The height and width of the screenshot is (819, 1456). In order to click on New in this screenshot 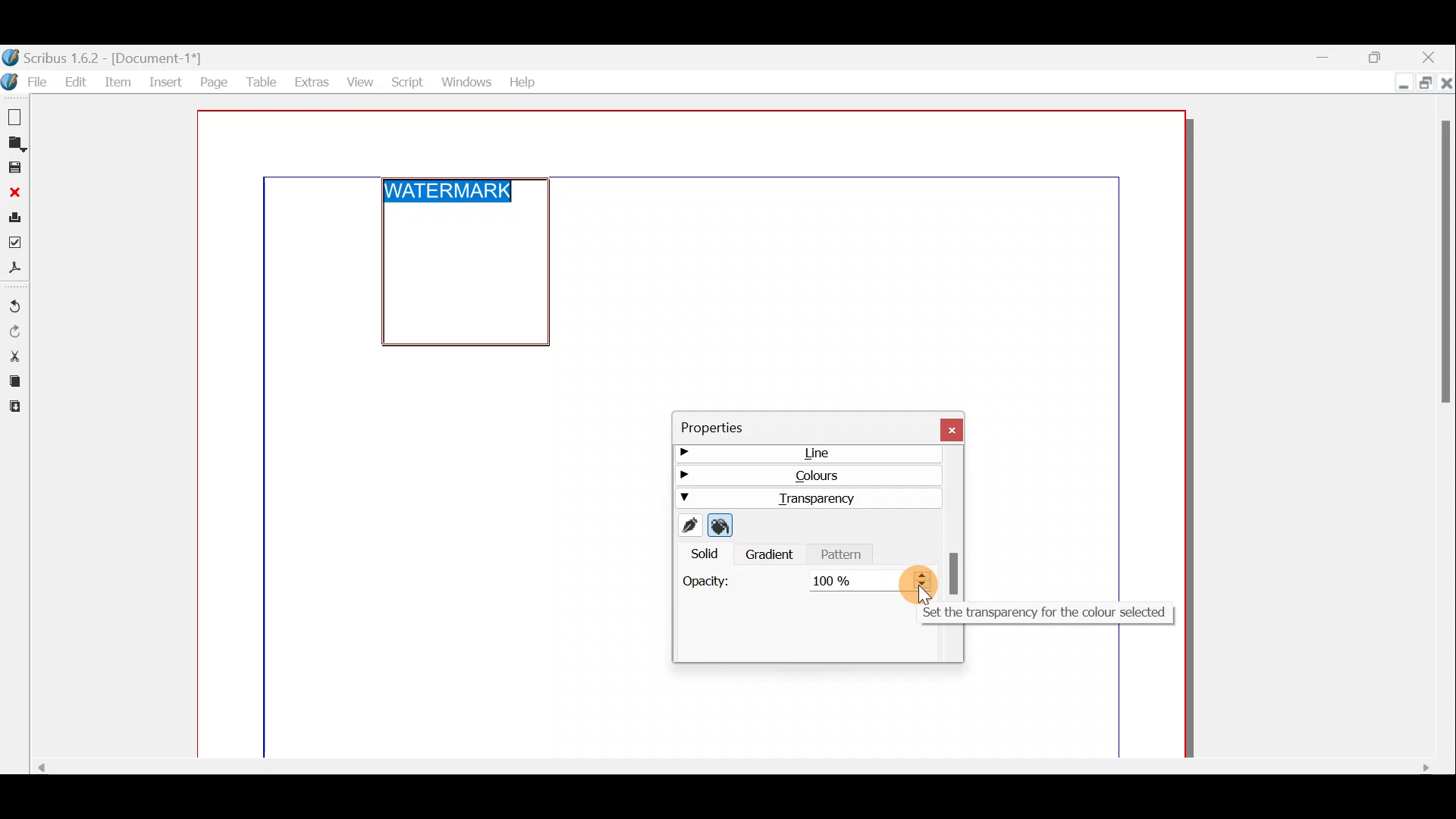, I will do `click(13, 115)`.